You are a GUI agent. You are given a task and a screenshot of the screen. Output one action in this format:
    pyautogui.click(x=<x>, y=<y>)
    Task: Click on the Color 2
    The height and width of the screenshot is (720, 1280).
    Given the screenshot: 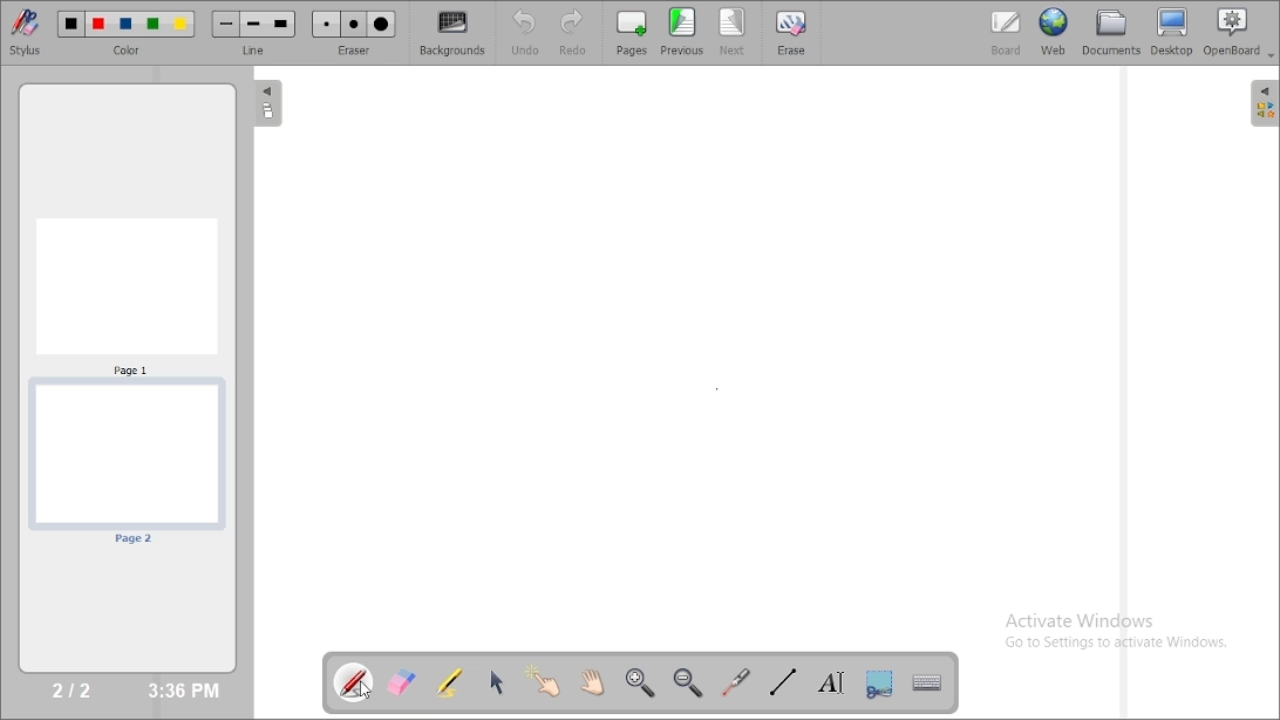 What is the action you would take?
    pyautogui.click(x=99, y=25)
    